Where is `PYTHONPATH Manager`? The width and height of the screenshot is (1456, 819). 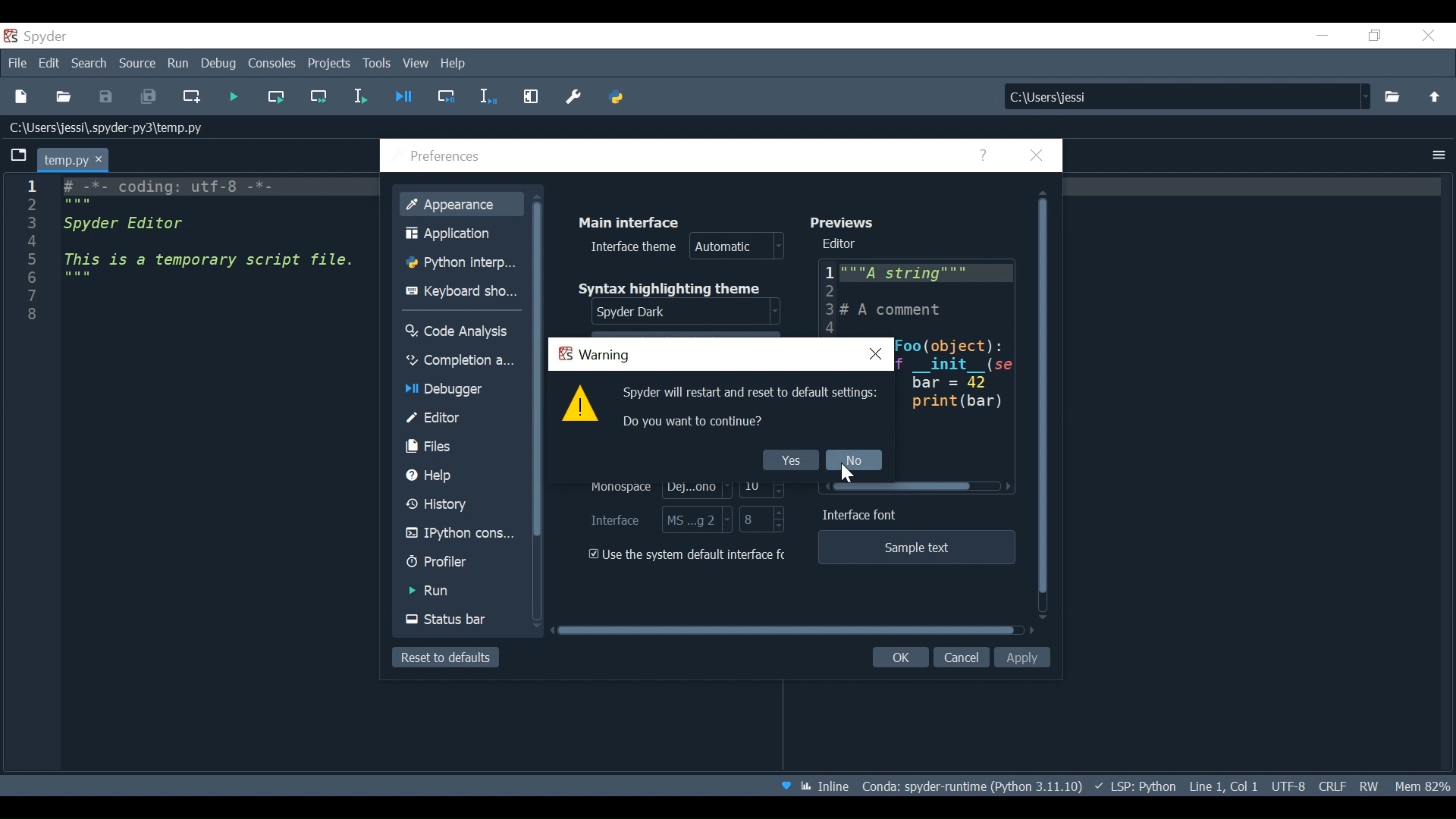 PYTHONPATH Manager is located at coordinates (617, 99).